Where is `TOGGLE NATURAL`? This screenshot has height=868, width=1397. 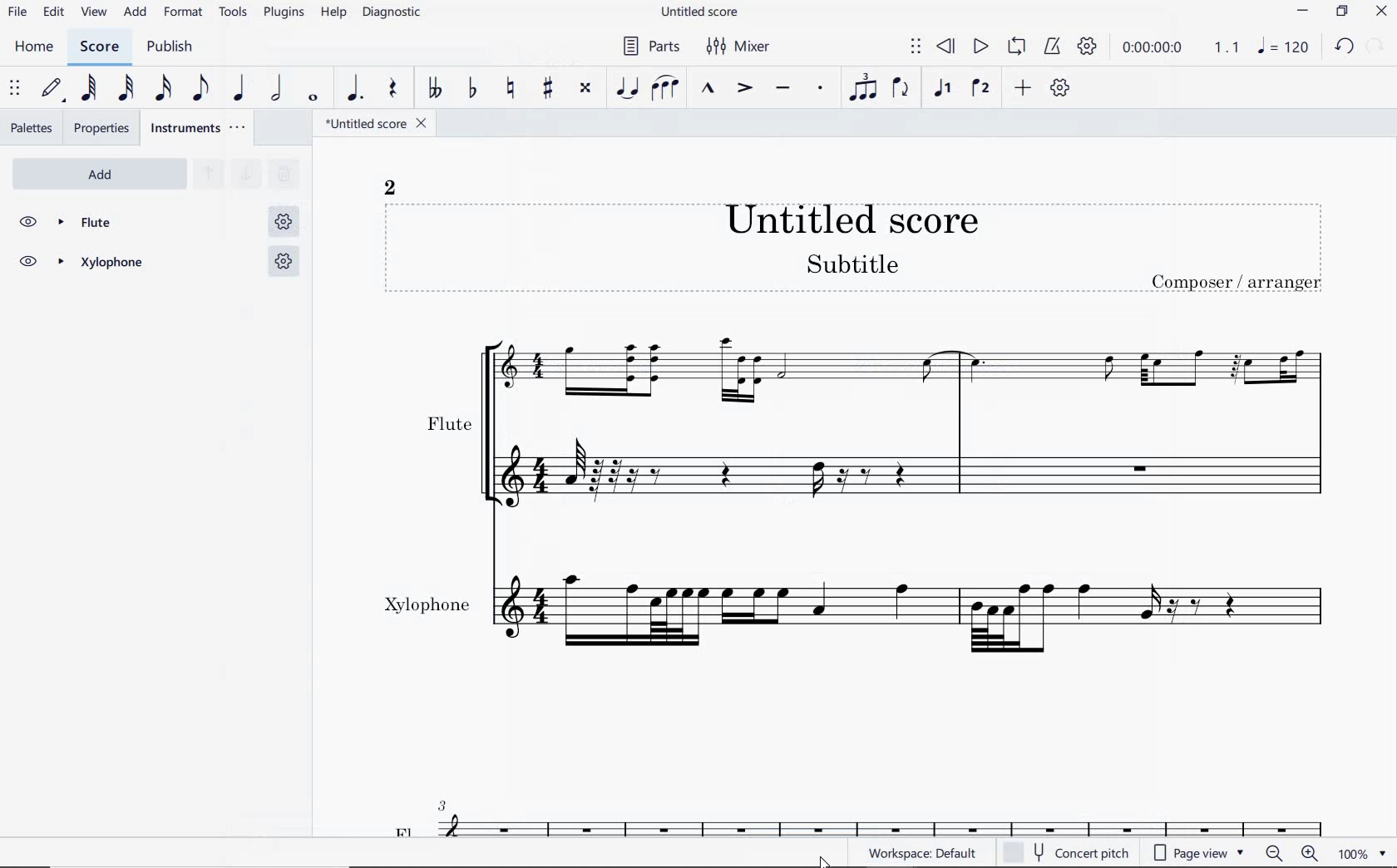
TOGGLE NATURAL is located at coordinates (510, 89).